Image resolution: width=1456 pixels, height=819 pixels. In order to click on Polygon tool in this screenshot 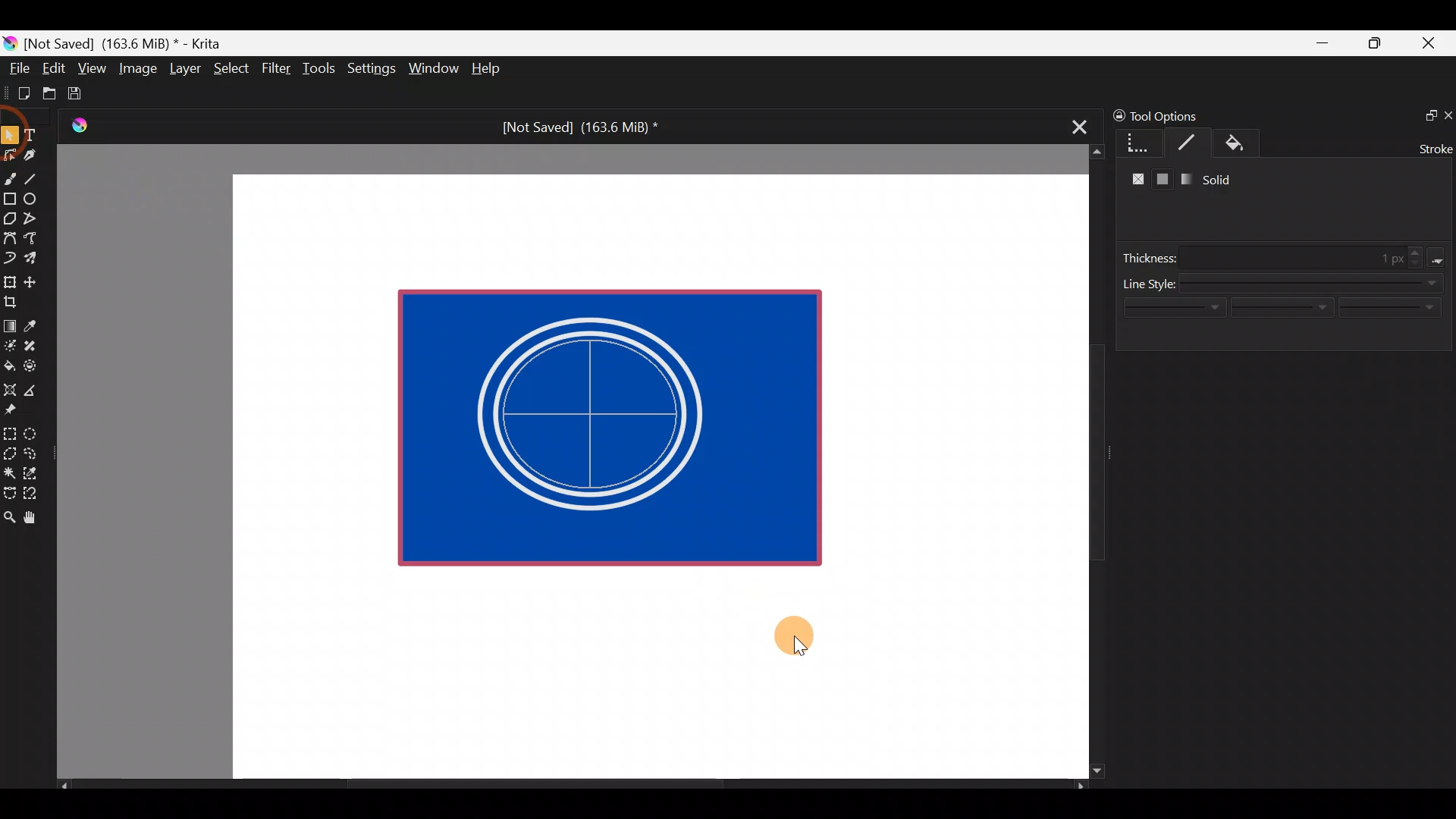, I will do `click(9, 219)`.